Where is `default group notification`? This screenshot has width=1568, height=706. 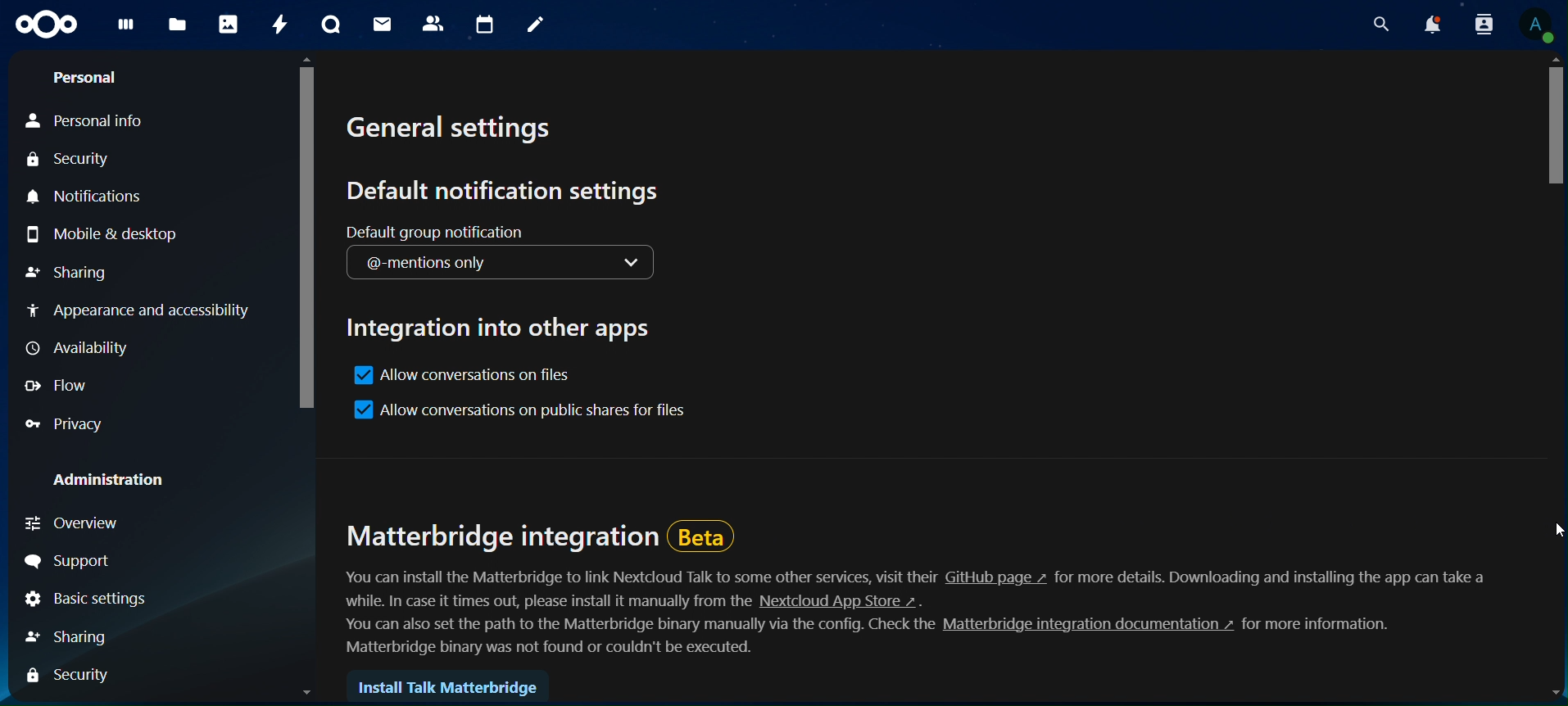 default group notification is located at coordinates (500, 252).